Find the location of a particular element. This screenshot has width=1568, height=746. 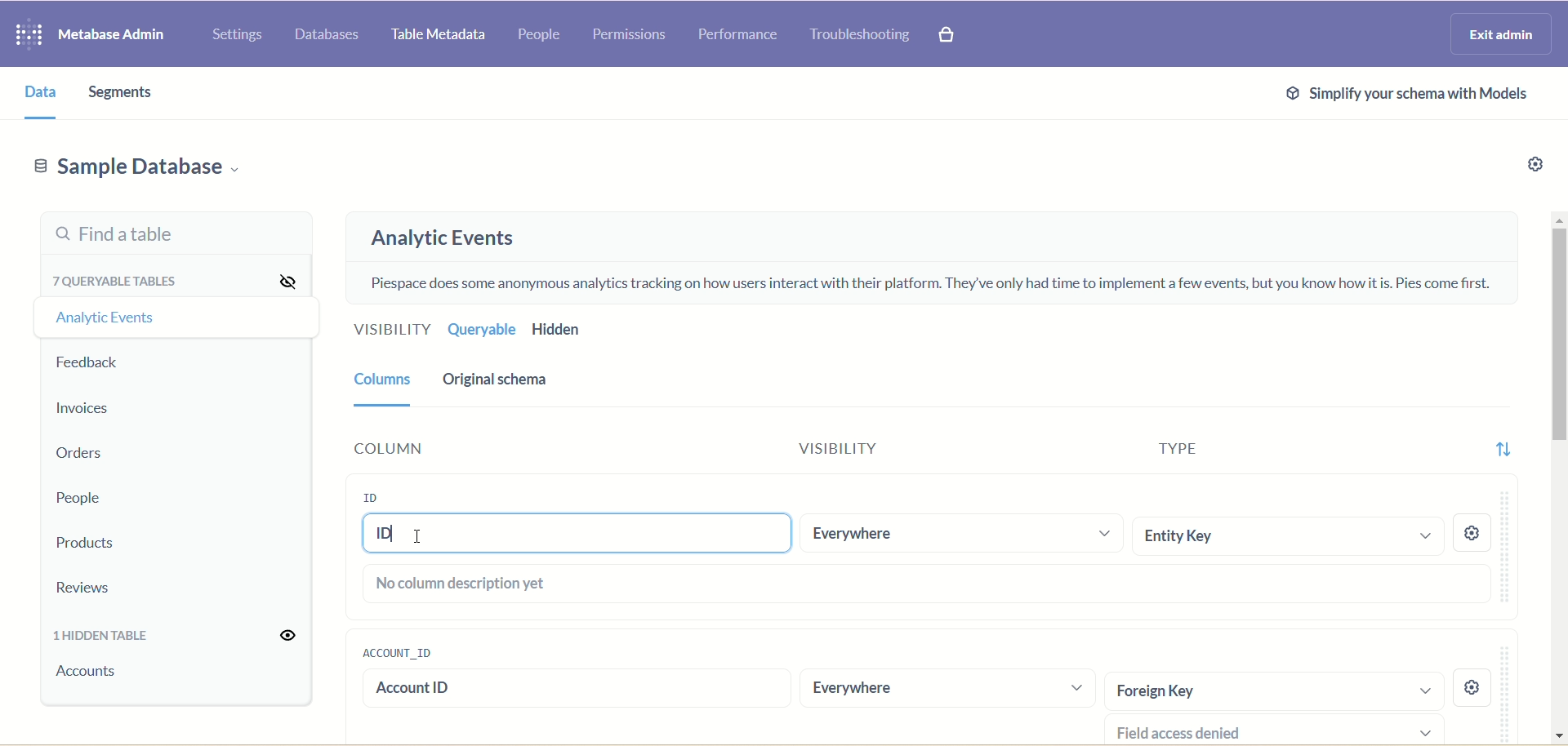

Metabase admin is located at coordinates (118, 36).